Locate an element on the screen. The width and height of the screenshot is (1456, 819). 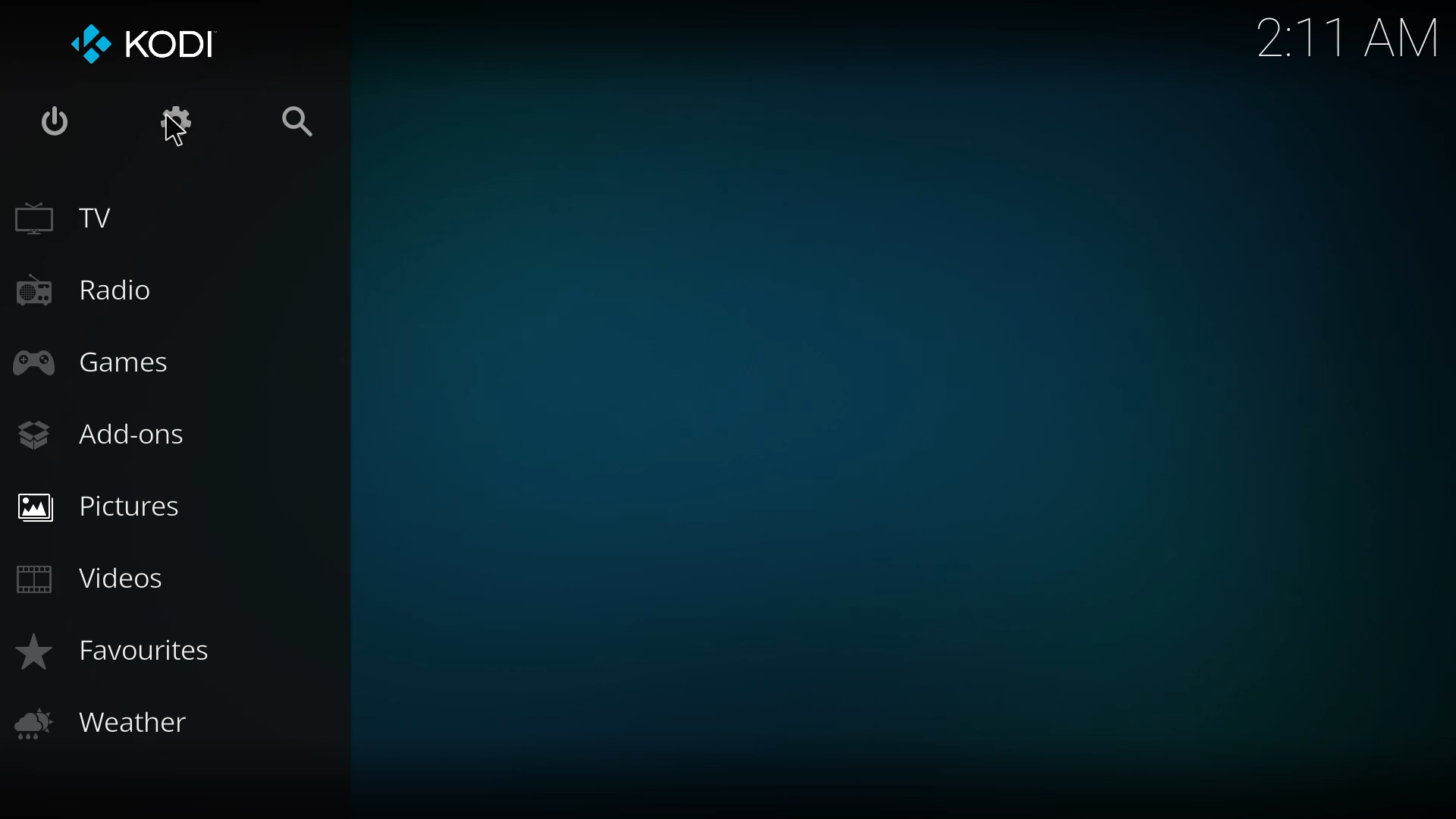
add-ons is located at coordinates (102, 435).